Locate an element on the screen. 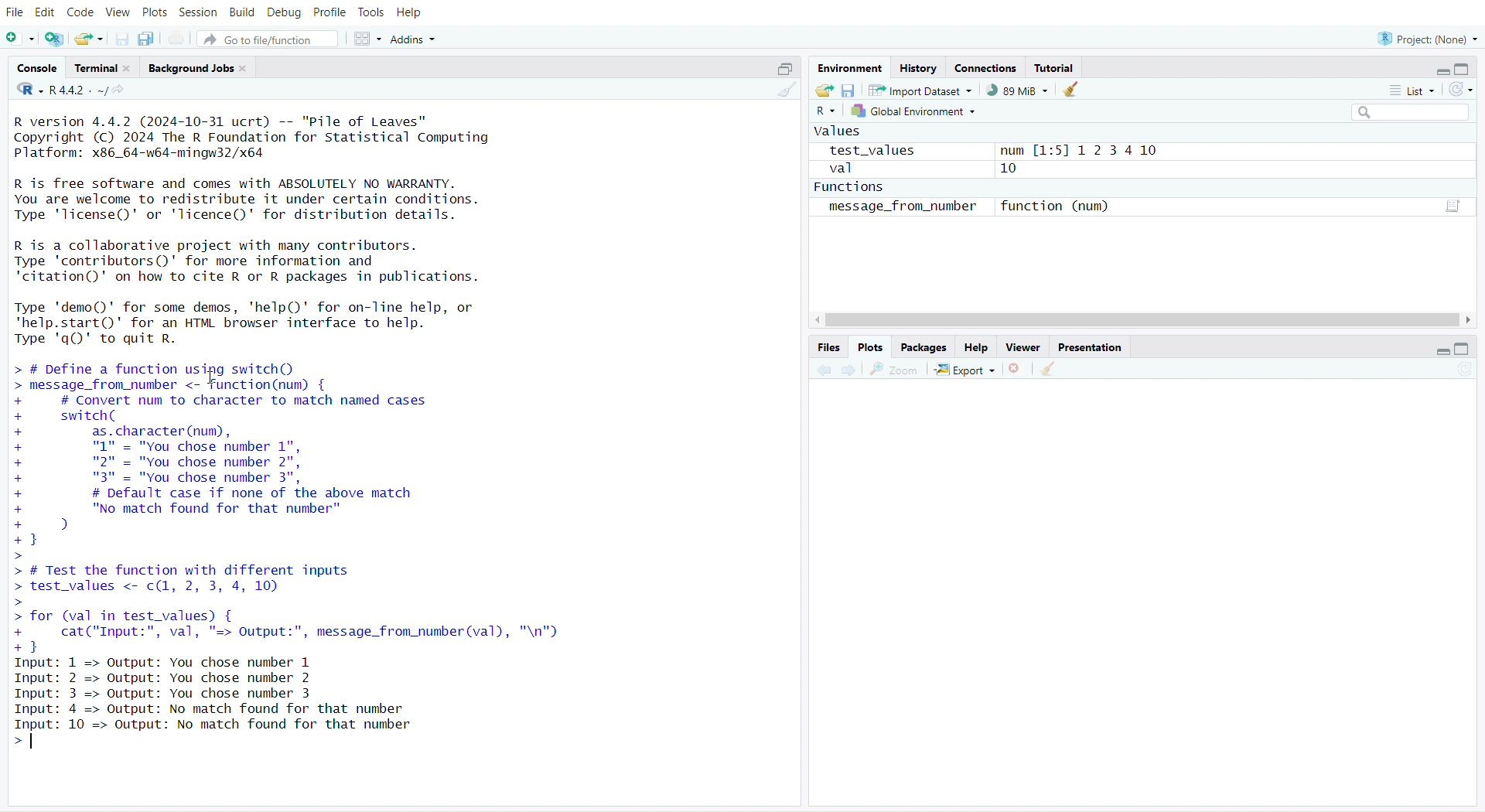  R version 4.4.2 (2024-10-31 ucrt) -- "Pile of Leaves"
Copyright (C) 2024 The R Foundation for Statistical Computing
Platform: x86_64-w64-mingw32/x64

R is free software and comes with ABSOLUTELY NO WARRANTY.
You are welcome to redistribute it under certain conditions.
Type 'license()' or 'licence()' for distribution details.

R is a collaborative project with many contributors.

Type 'contributors()' for more information and

"citation()' on how to cite R or R packages in publications.
Type 'demo()' for some demos, 'help()' for on-Tine help, or
"help.start()"' for an HTML browser interface to help.

Type 'qQ' to quit R. is located at coordinates (269, 234).